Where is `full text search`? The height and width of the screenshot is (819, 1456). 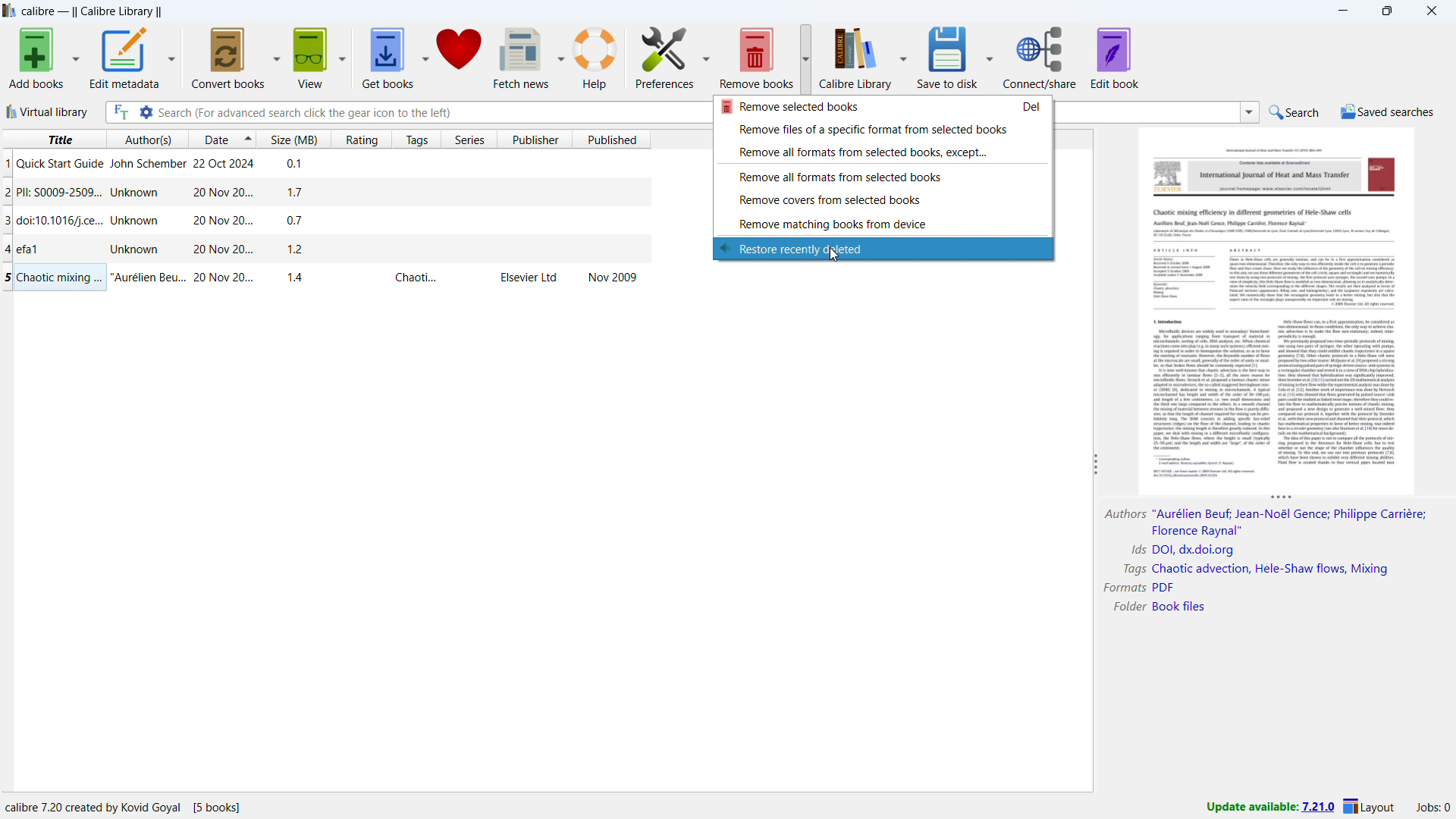 full text search is located at coordinates (120, 111).